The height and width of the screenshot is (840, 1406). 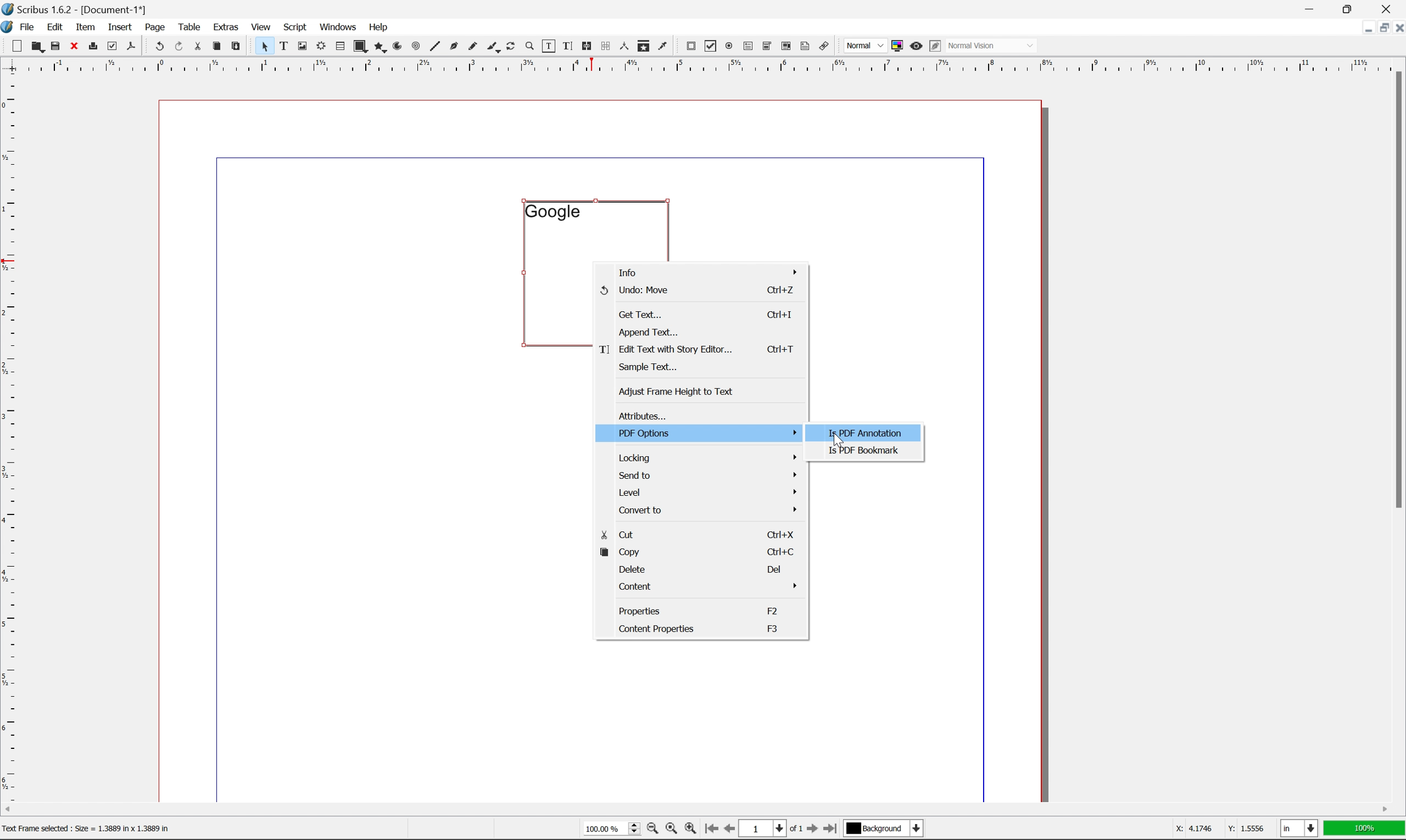 I want to click on unlink text frames, so click(x=604, y=46).